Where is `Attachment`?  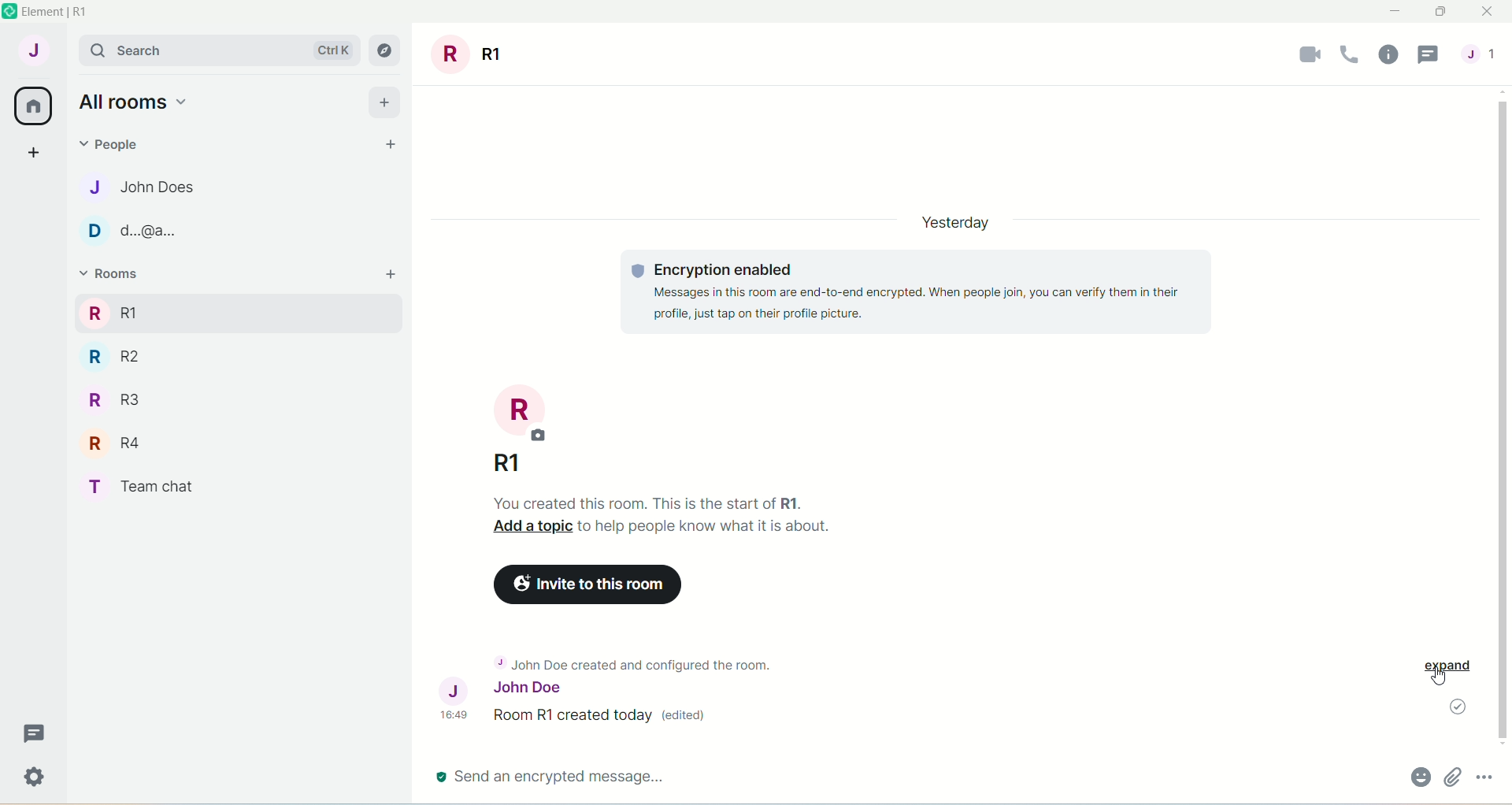 Attachment is located at coordinates (1455, 778).